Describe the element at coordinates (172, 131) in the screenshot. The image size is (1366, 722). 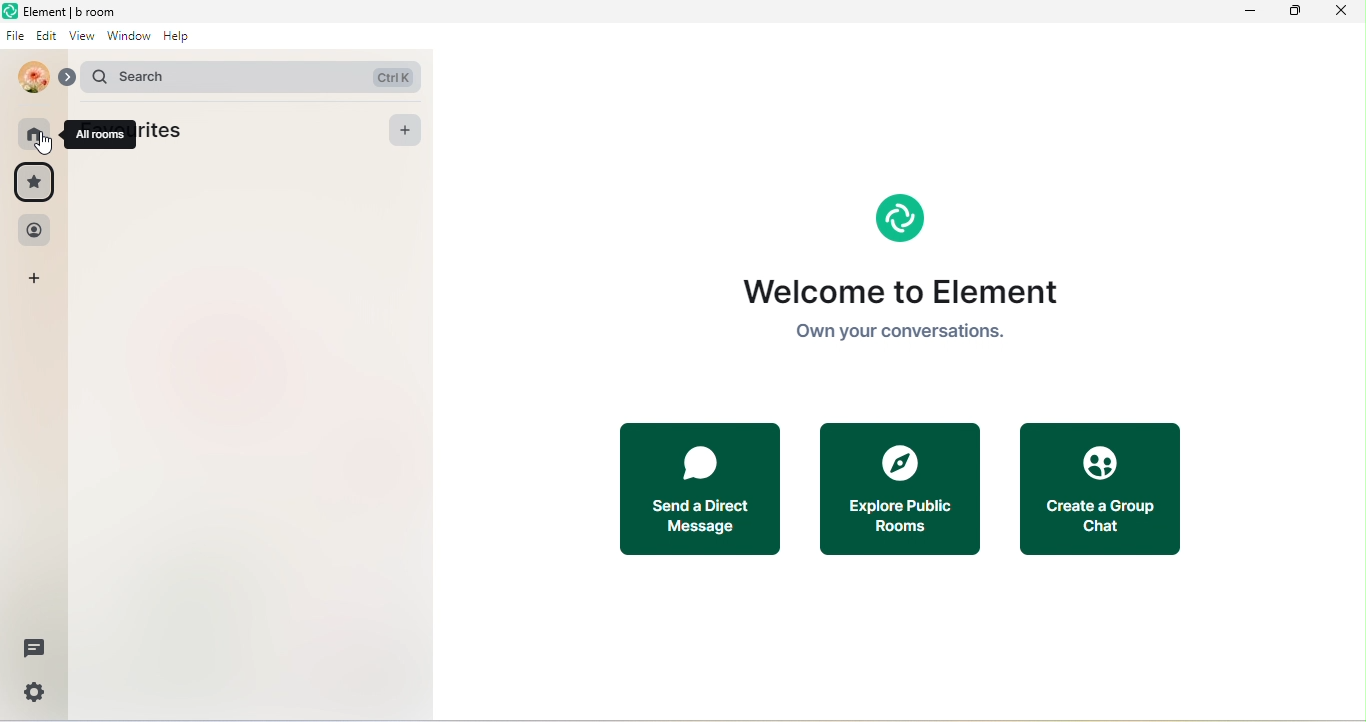
I see `favourite` at that location.